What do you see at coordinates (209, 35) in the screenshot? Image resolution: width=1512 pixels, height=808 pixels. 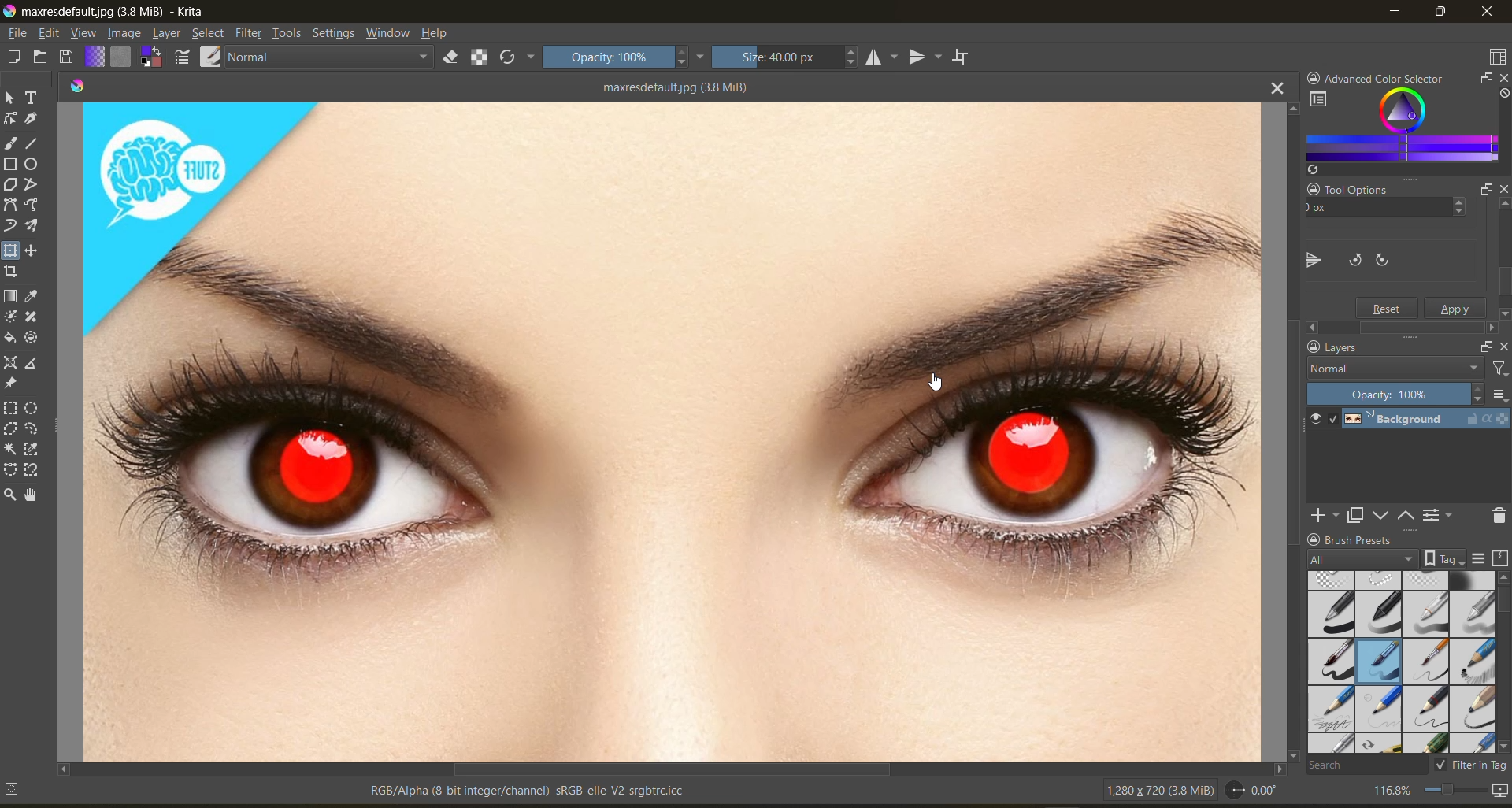 I see `select` at bounding box center [209, 35].